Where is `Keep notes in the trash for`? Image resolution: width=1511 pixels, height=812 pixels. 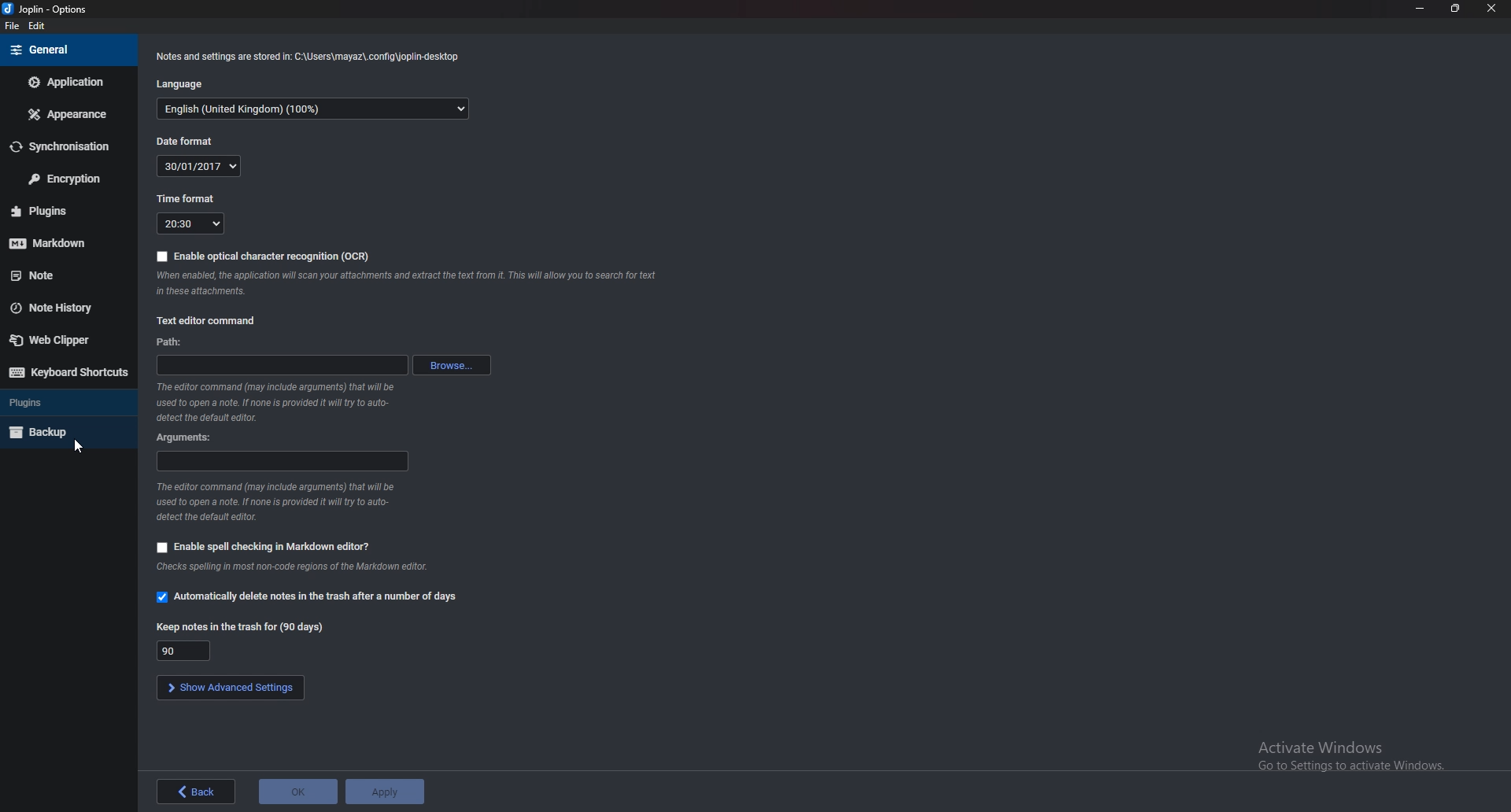
Keep notes in the trash for is located at coordinates (240, 626).